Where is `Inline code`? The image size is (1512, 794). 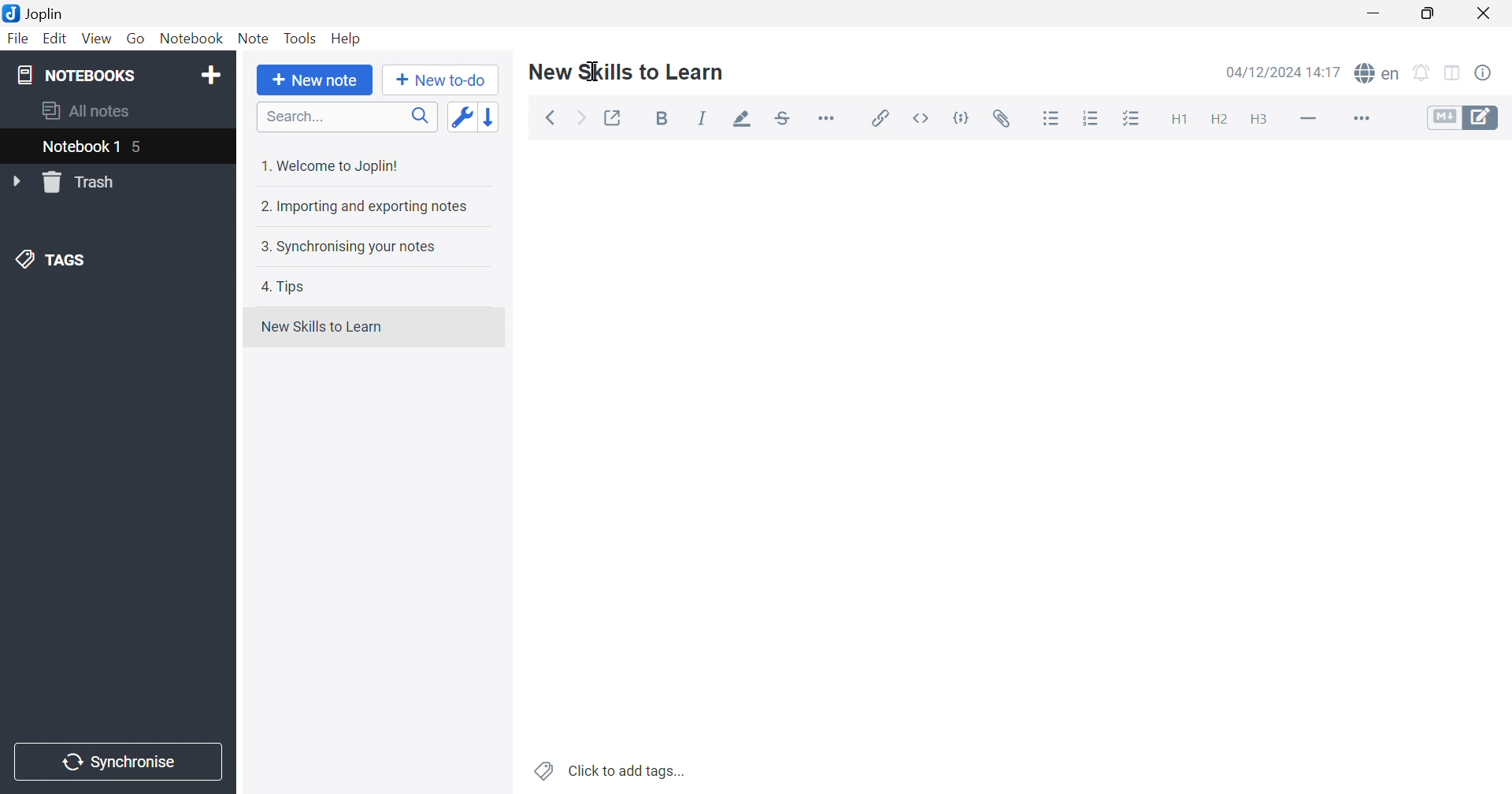
Inline code is located at coordinates (924, 118).